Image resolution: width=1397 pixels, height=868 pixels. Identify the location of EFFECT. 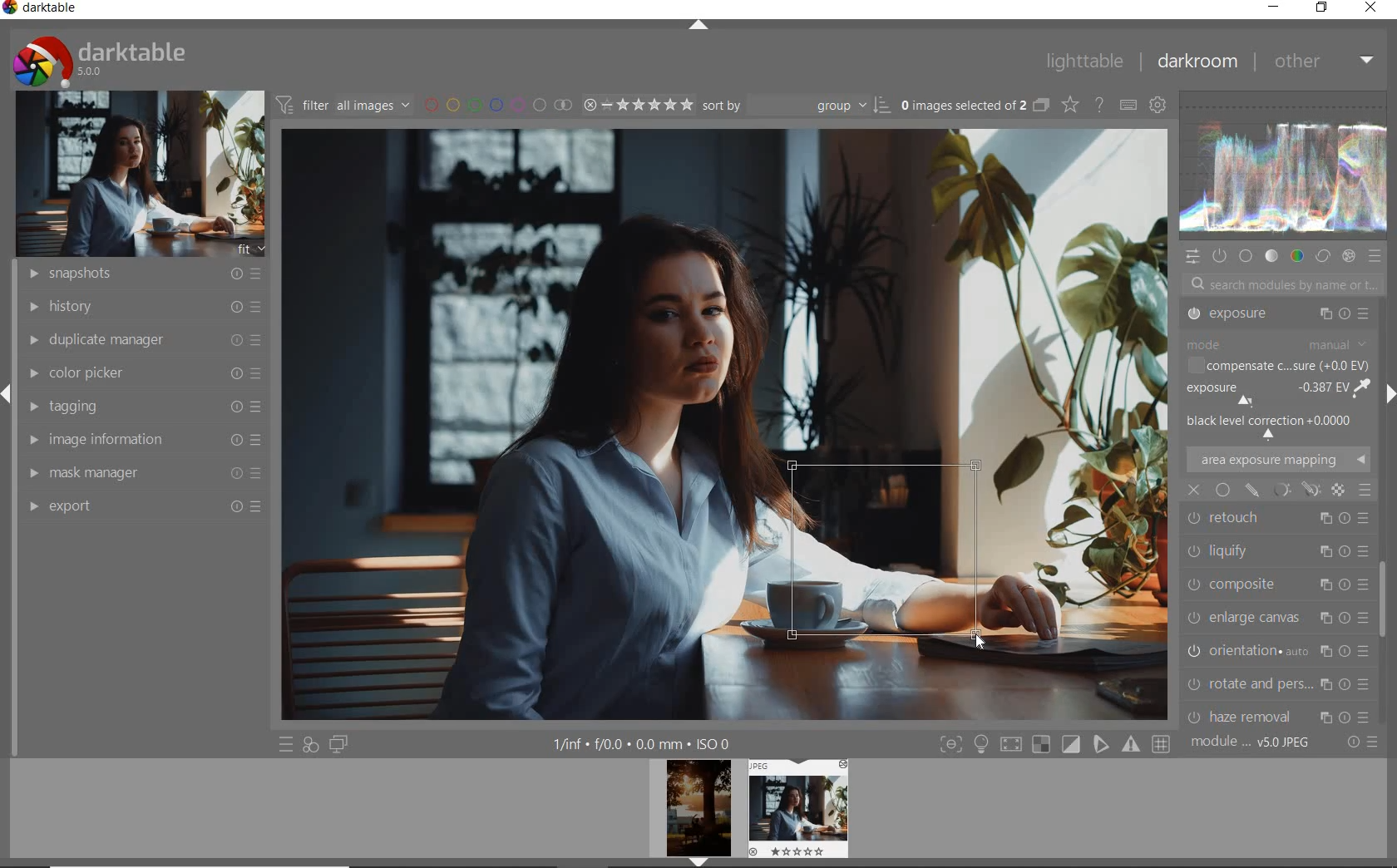
(1348, 256).